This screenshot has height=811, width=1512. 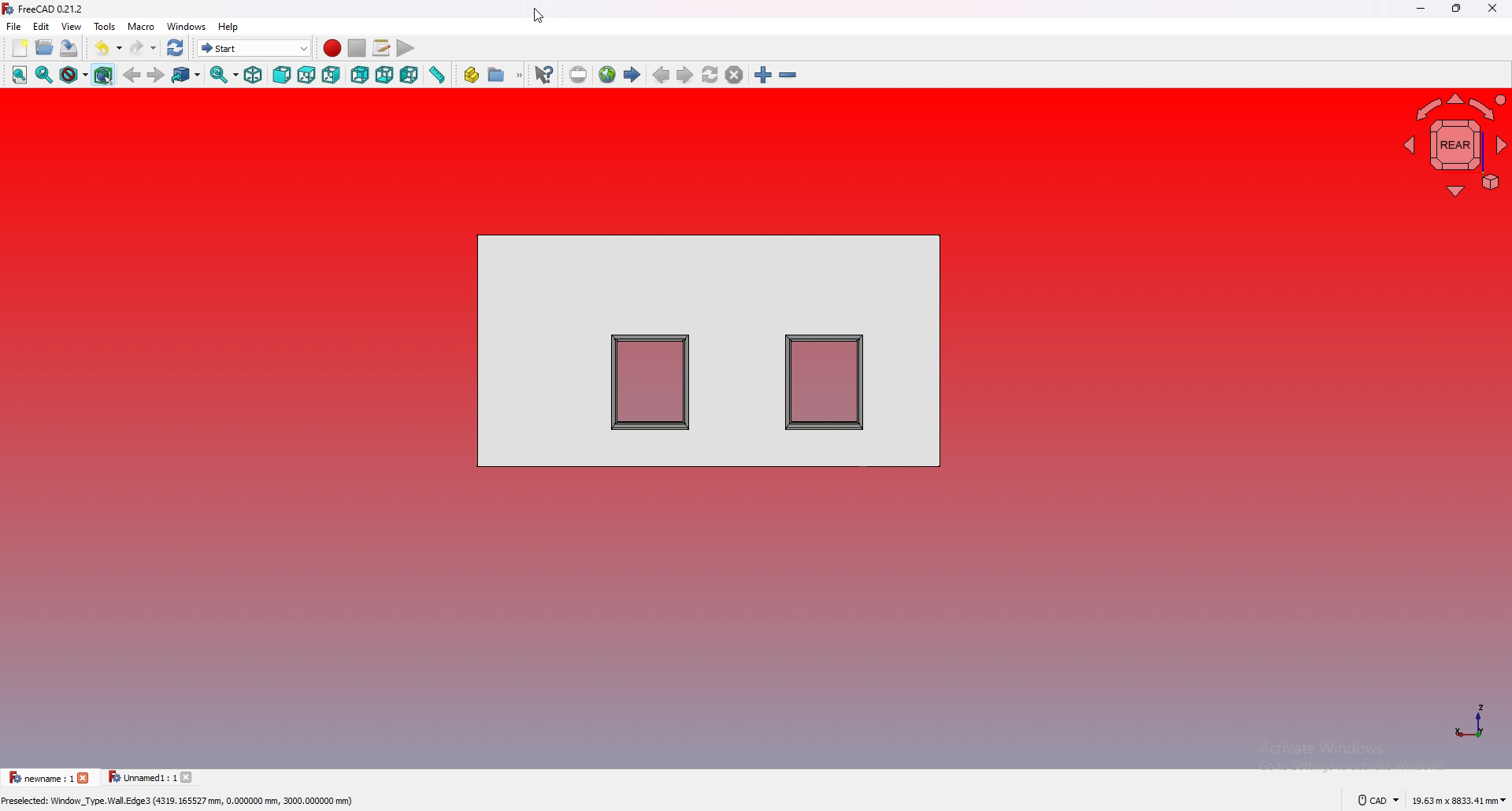 What do you see at coordinates (104, 75) in the screenshot?
I see `bounding object` at bounding box center [104, 75].